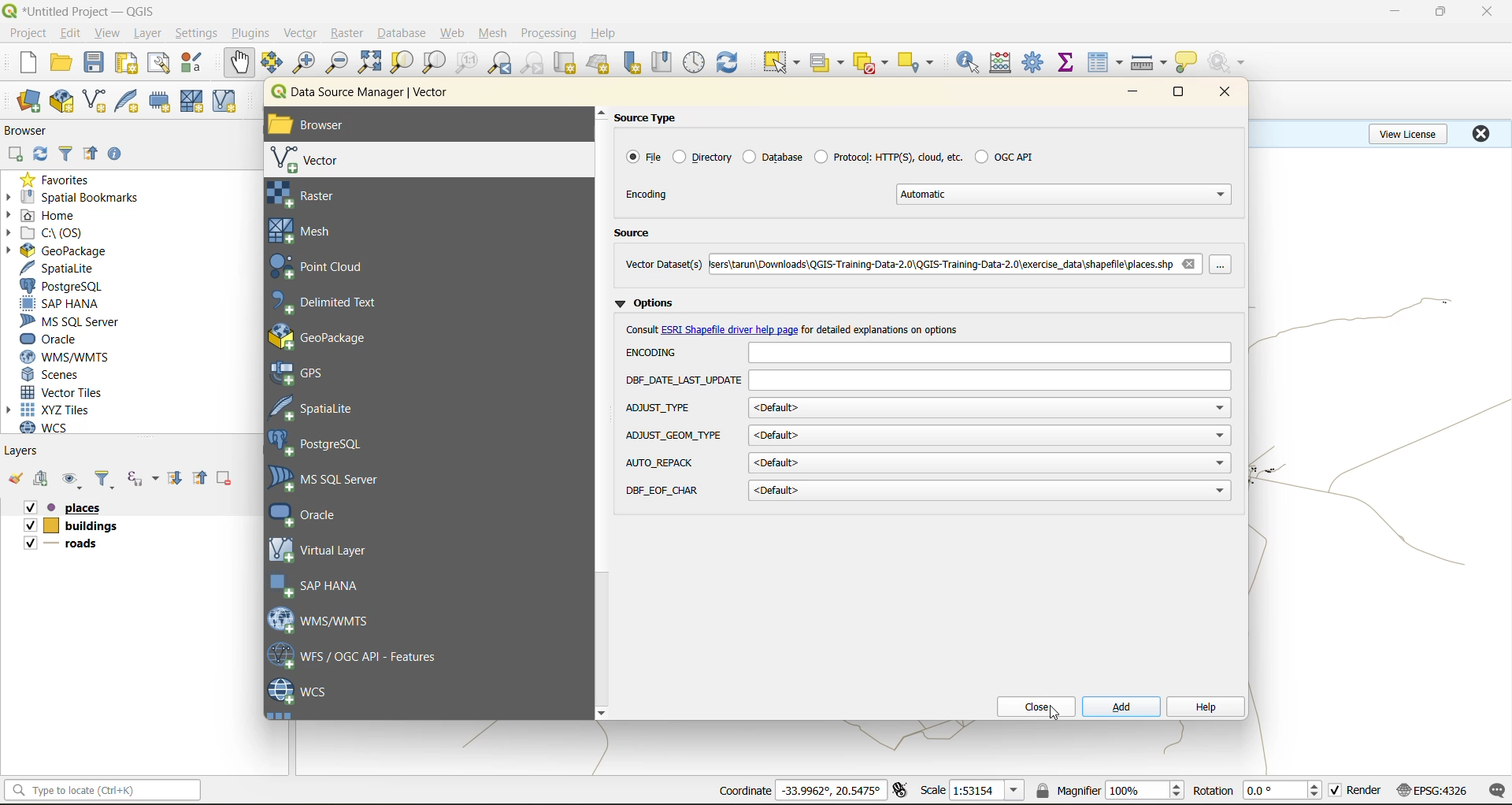  Describe the element at coordinates (324, 127) in the screenshot. I see `browser` at that location.